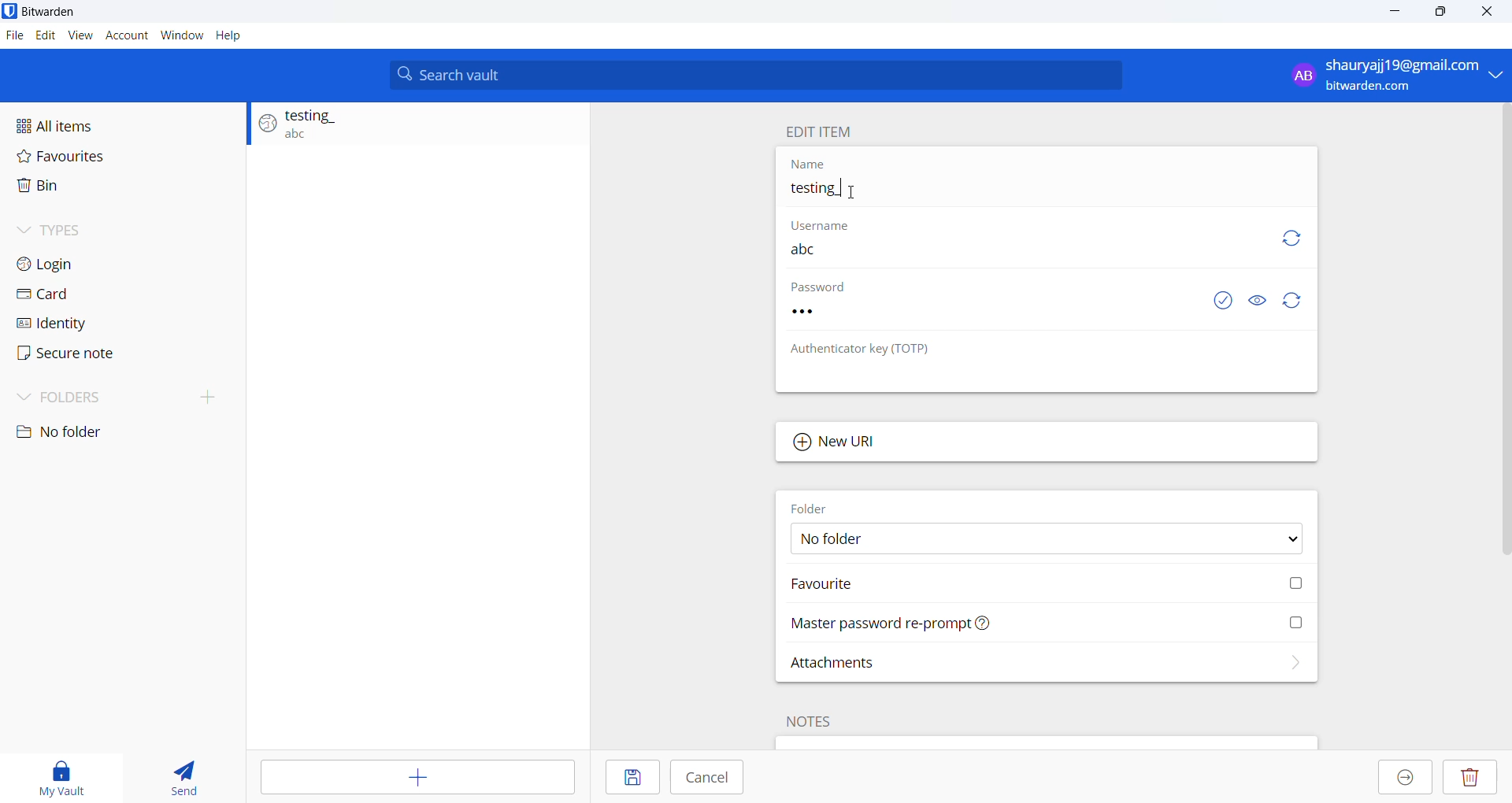 This screenshot has width=1512, height=803. I want to click on Name heading, so click(805, 164).